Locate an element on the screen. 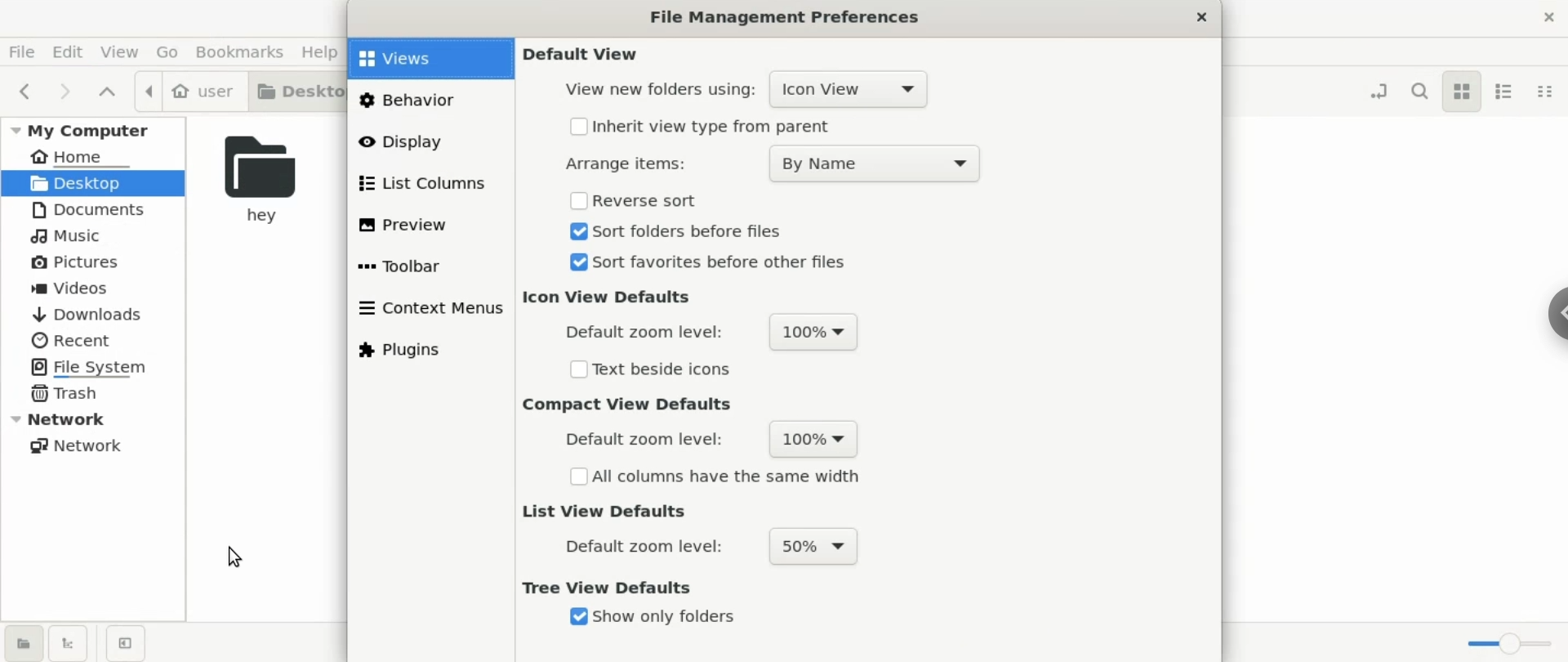 The image size is (1568, 662). user is located at coordinates (189, 89).